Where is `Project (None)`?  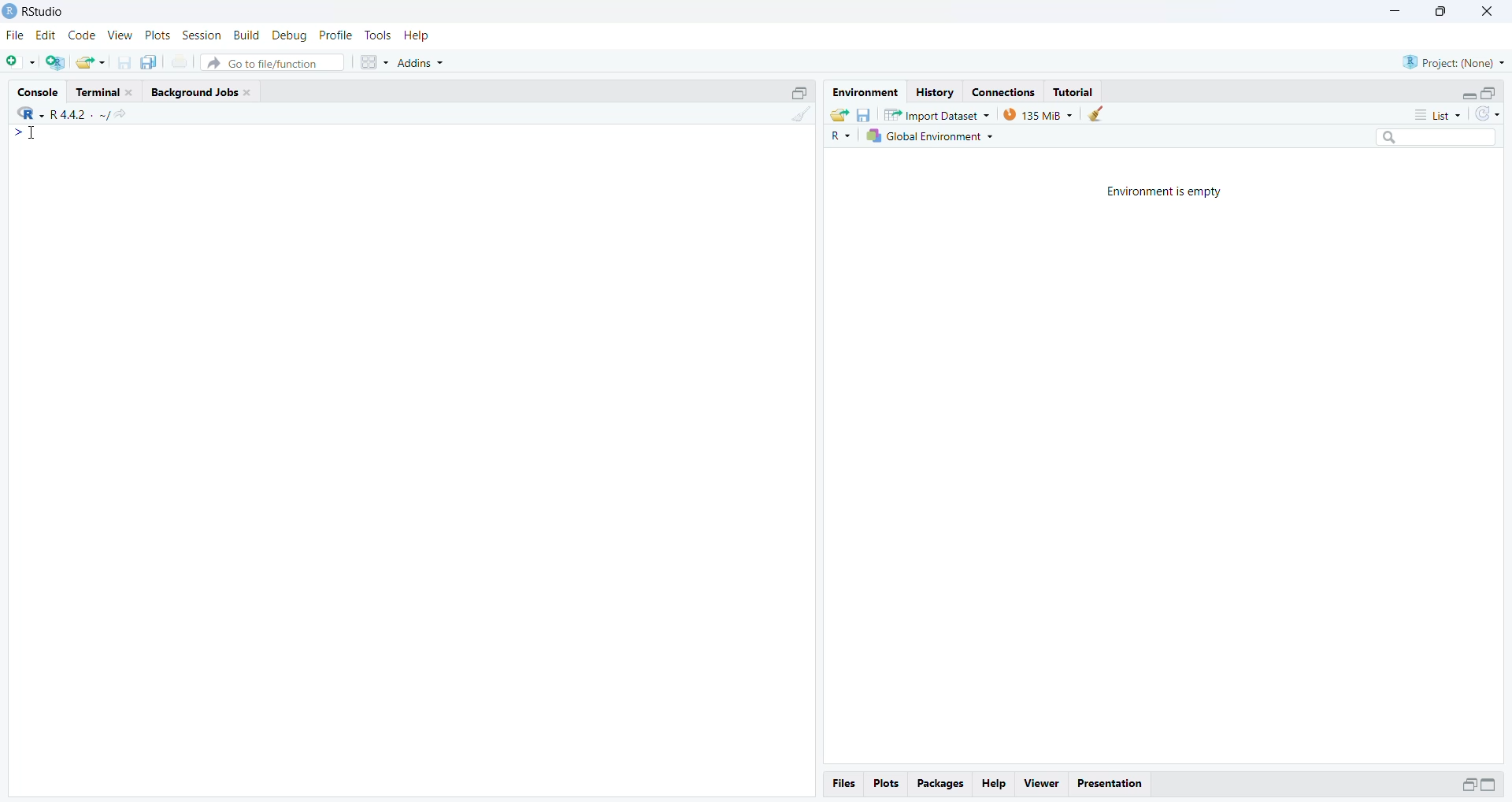
Project (None) is located at coordinates (1455, 61).